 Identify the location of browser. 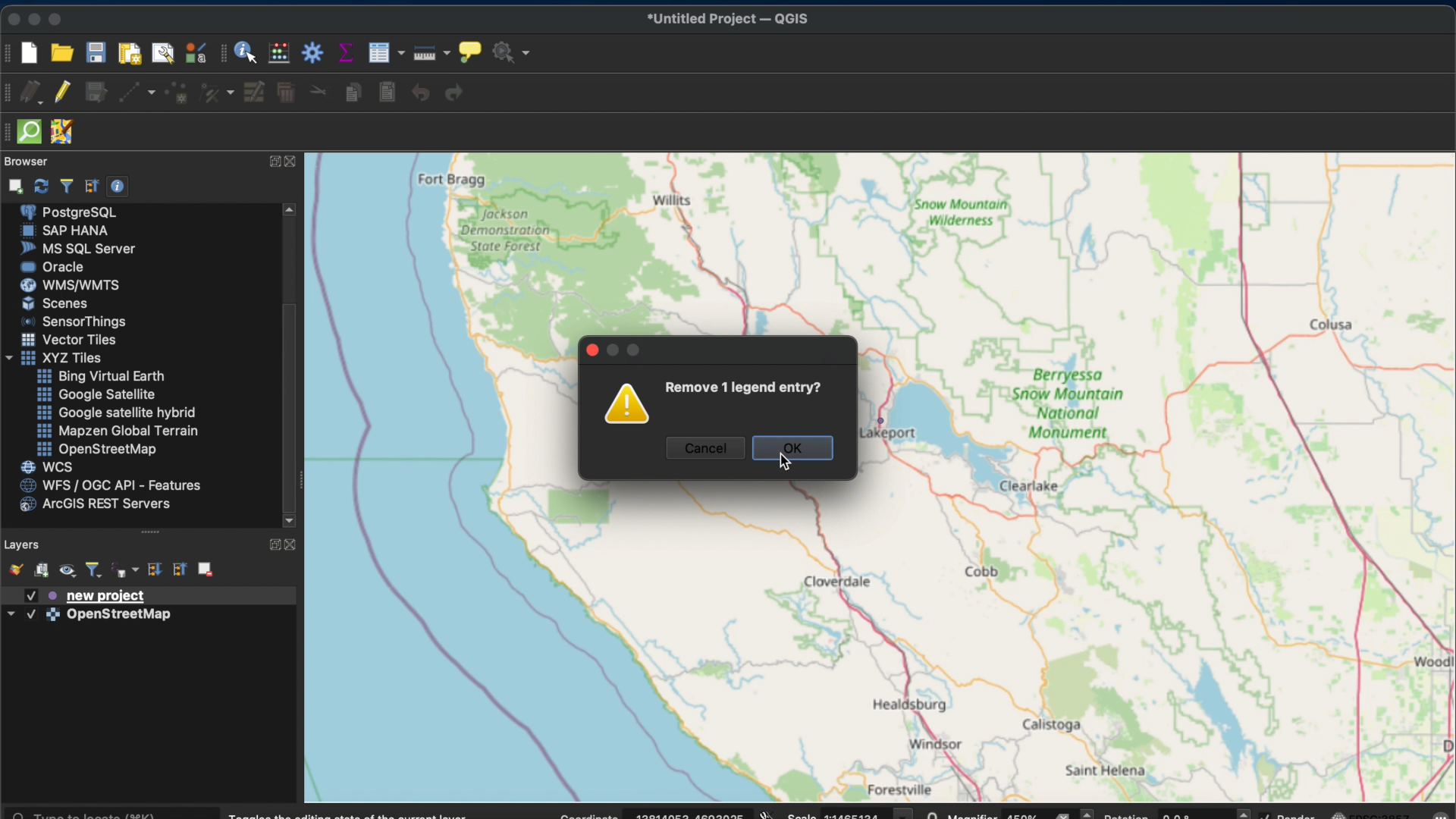
(26, 162).